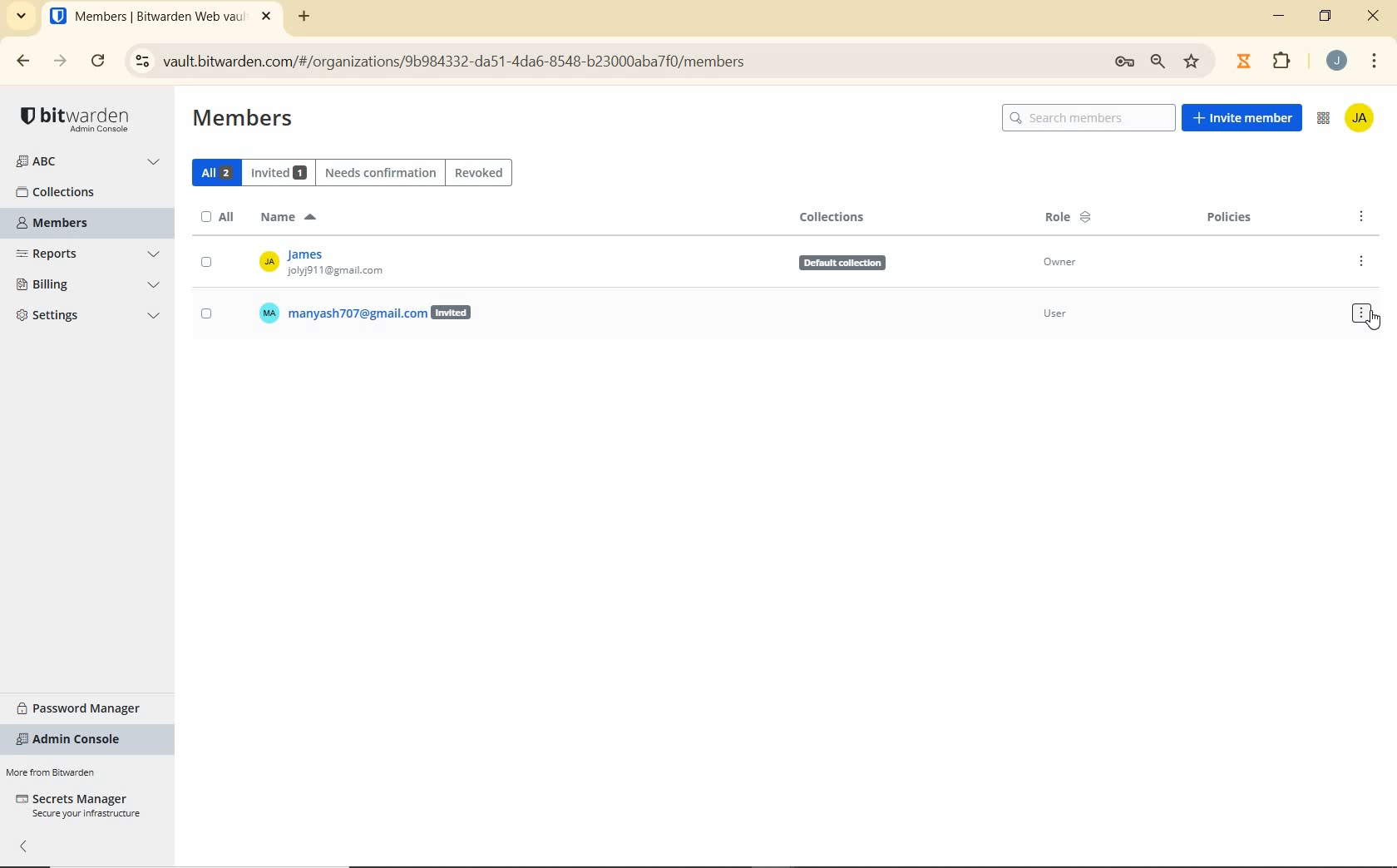  I want to click on SEARCH TABS, so click(22, 17).